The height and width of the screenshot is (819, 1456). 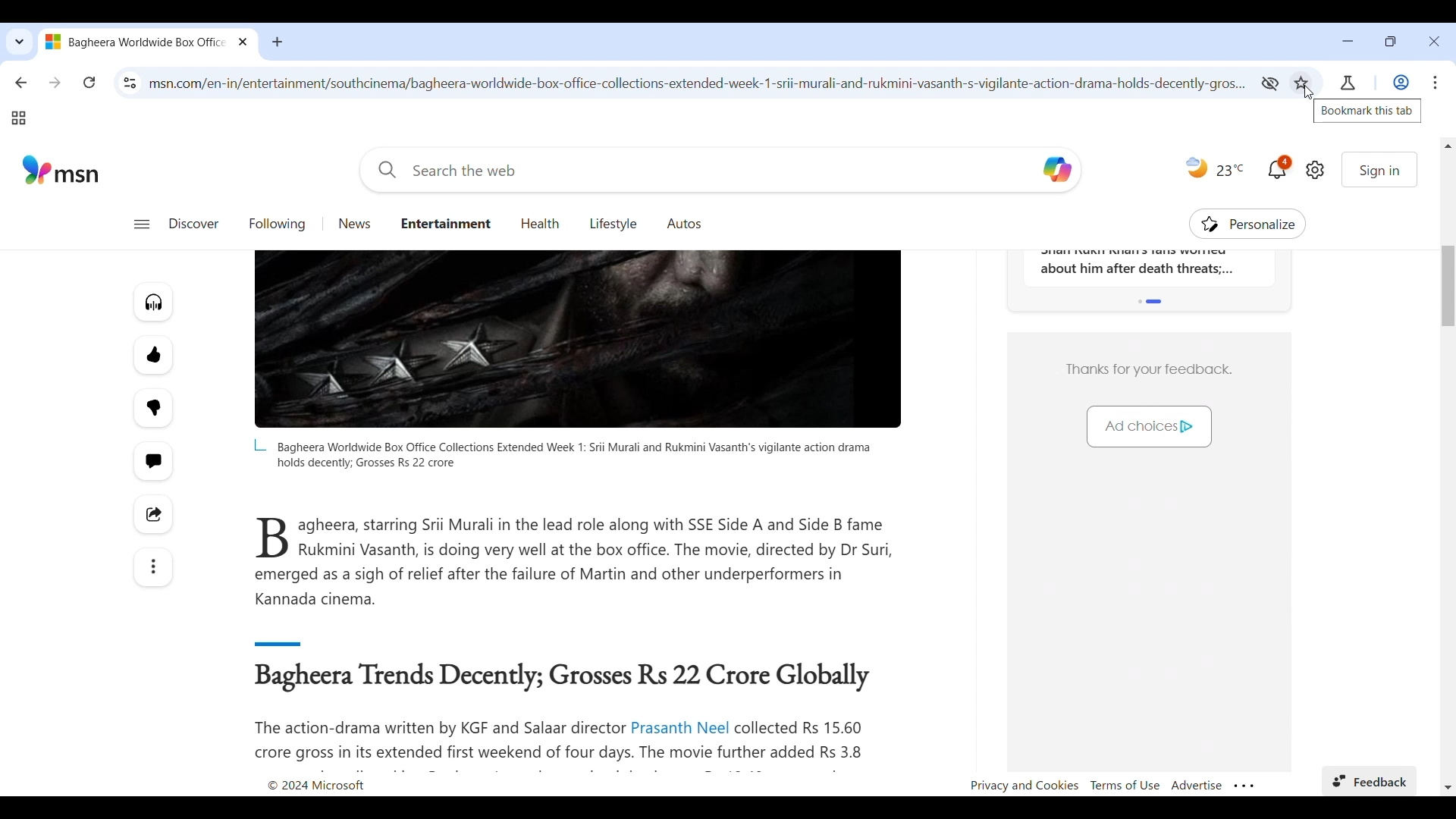 I want to click on Search tabs, so click(x=18, y=42).